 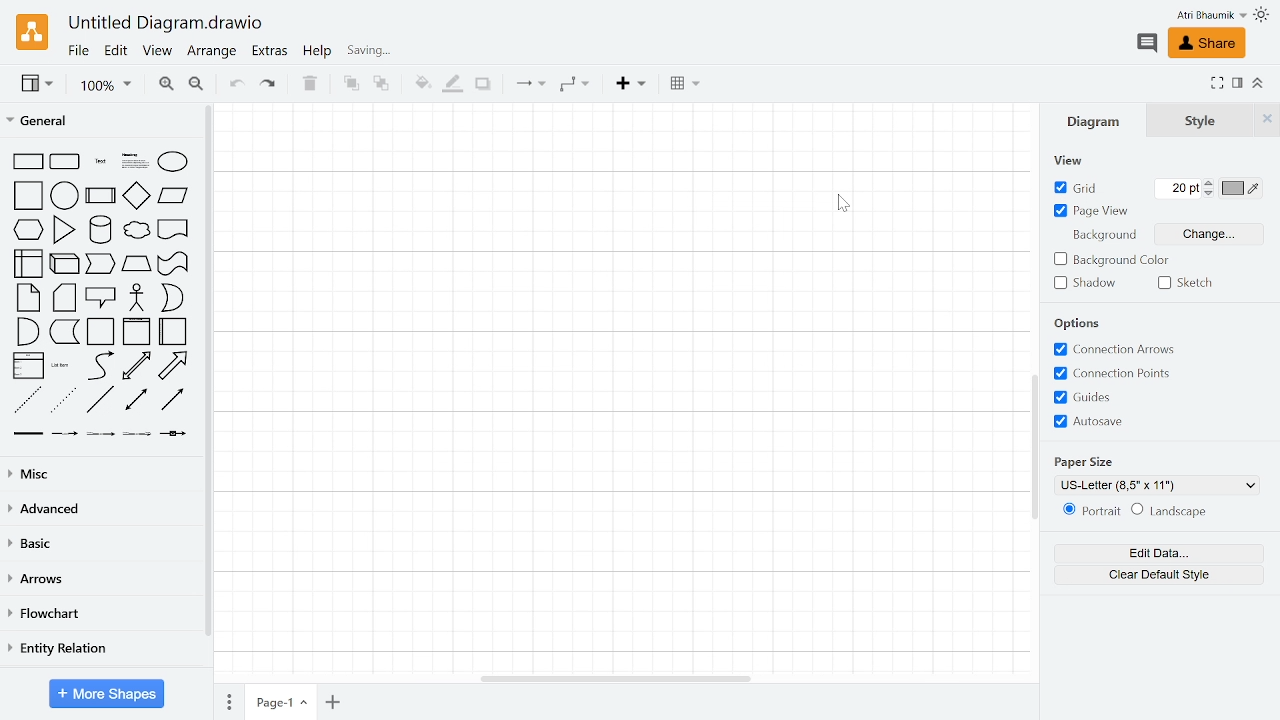 I want to click on Misc, so click(x=102, y=473).